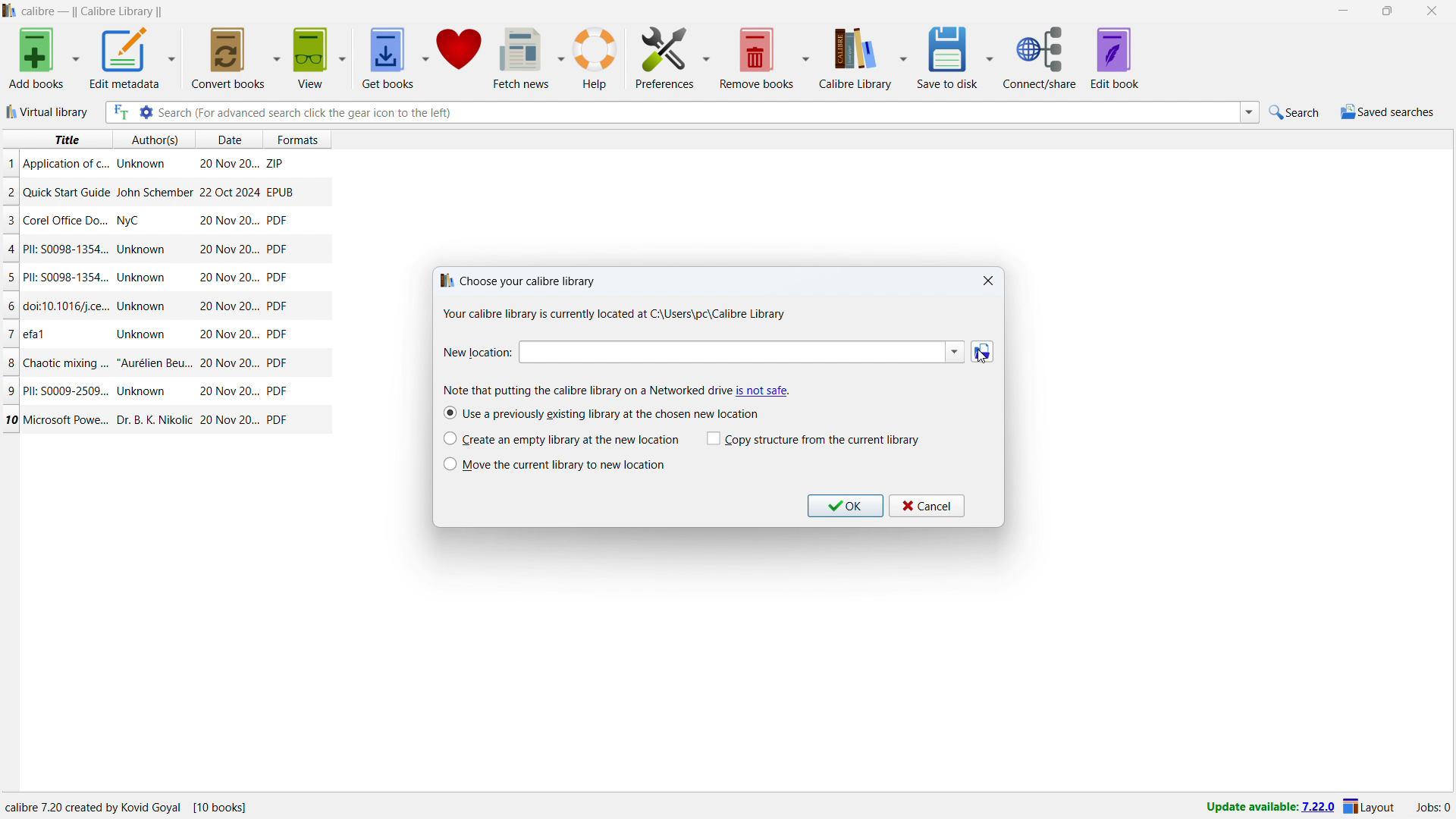  I want to click on cursor, so click(985, 357).